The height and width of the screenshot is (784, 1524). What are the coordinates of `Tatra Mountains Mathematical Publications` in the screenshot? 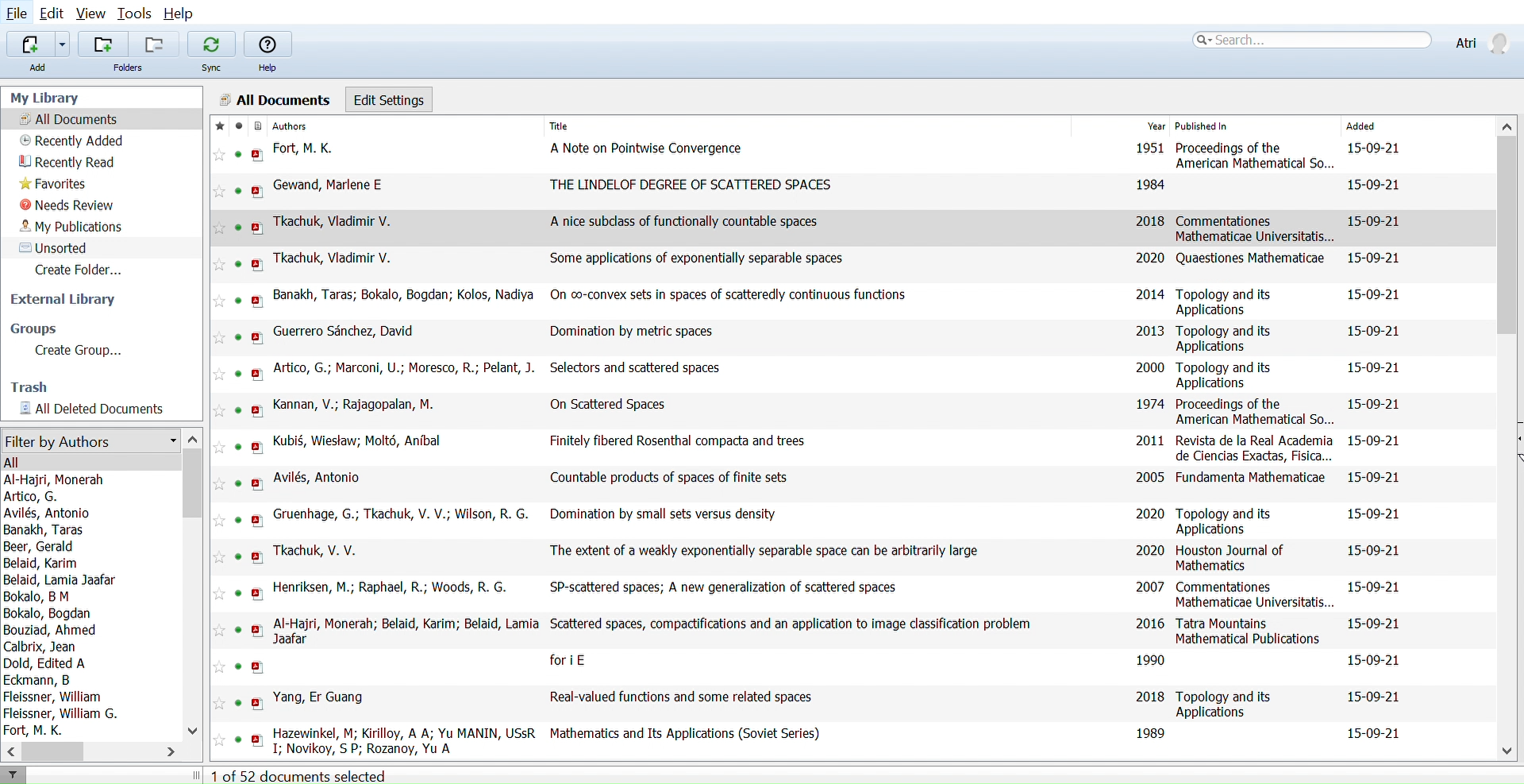 It's located at (1251, 632).